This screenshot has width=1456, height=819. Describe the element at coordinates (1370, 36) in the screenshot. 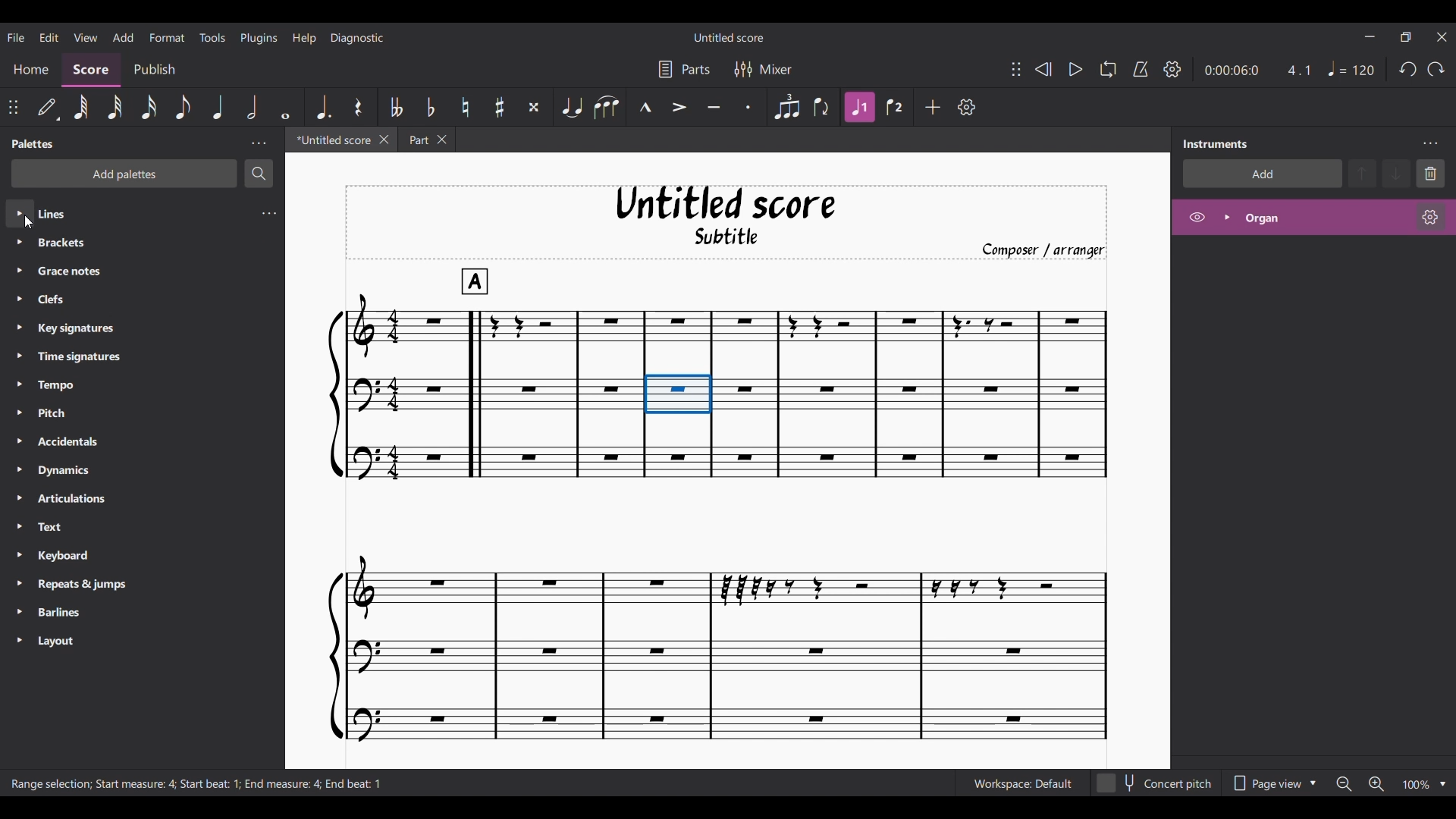

I see `Minimize` at that location.